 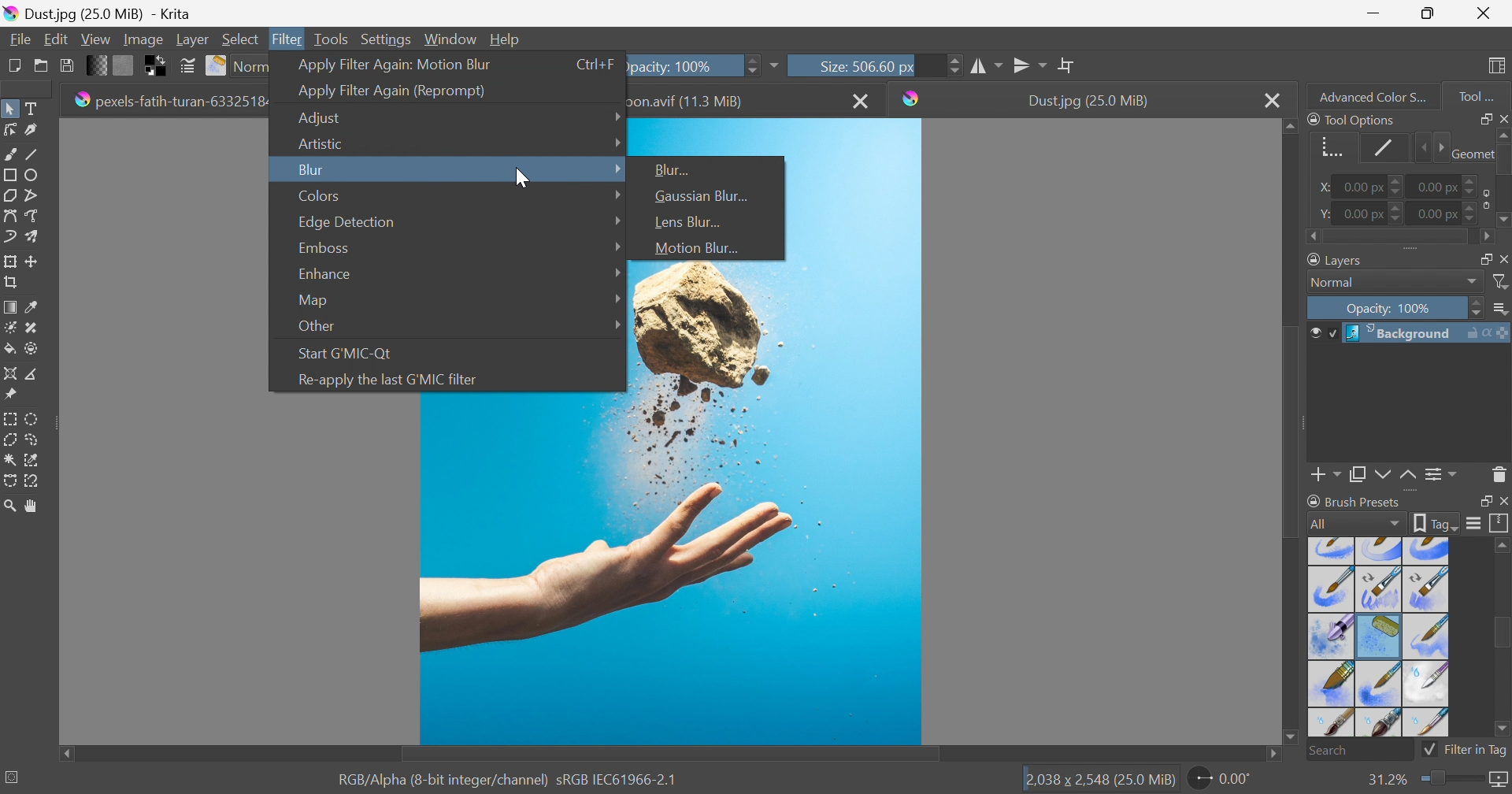 What do you see at coordinates (32, 307) in the screenshot?
I see `Sample a color from an image or current layer` at bounding box center [32, 307].